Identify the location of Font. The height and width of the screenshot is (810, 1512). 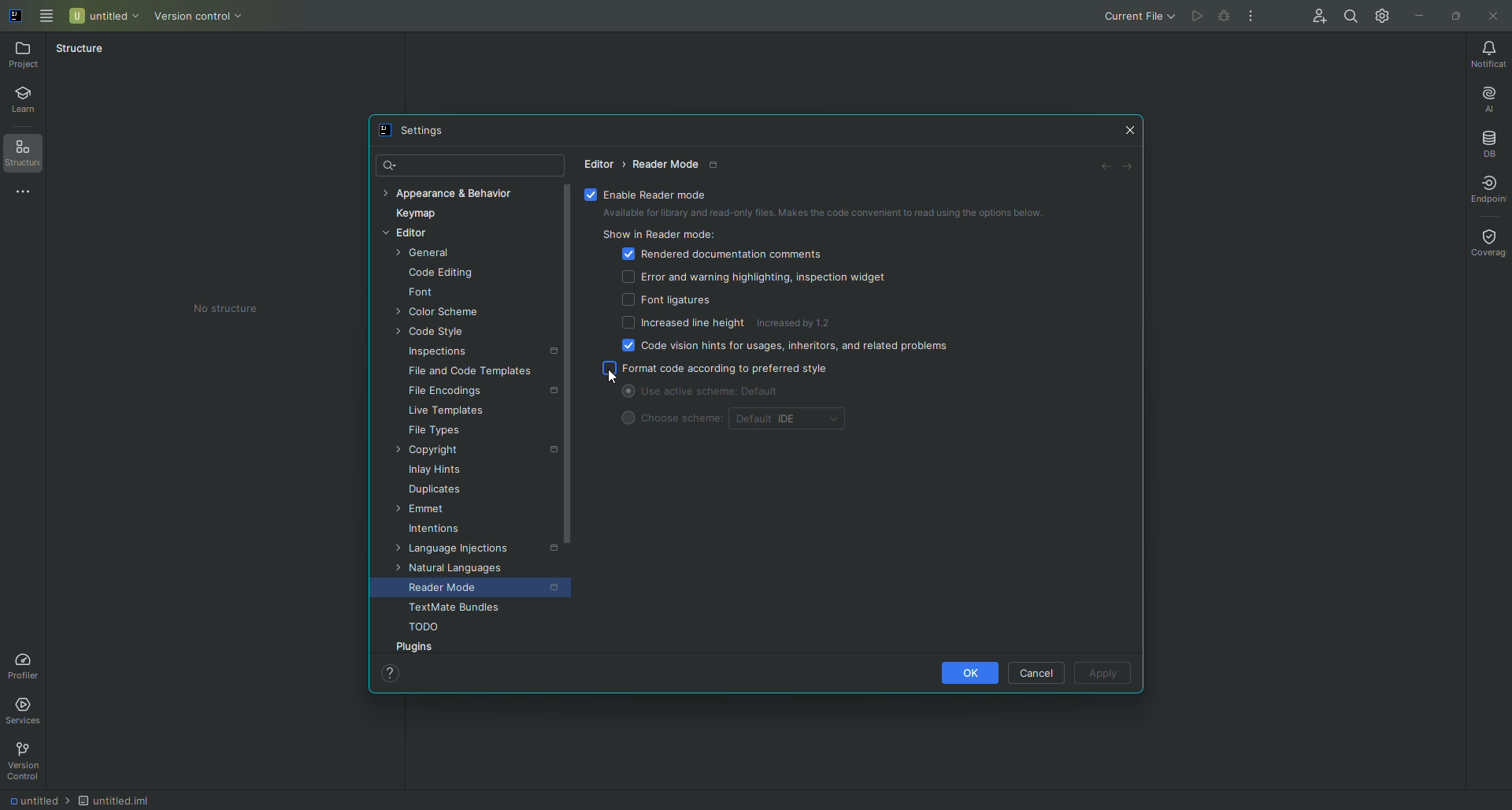
(417, 292).